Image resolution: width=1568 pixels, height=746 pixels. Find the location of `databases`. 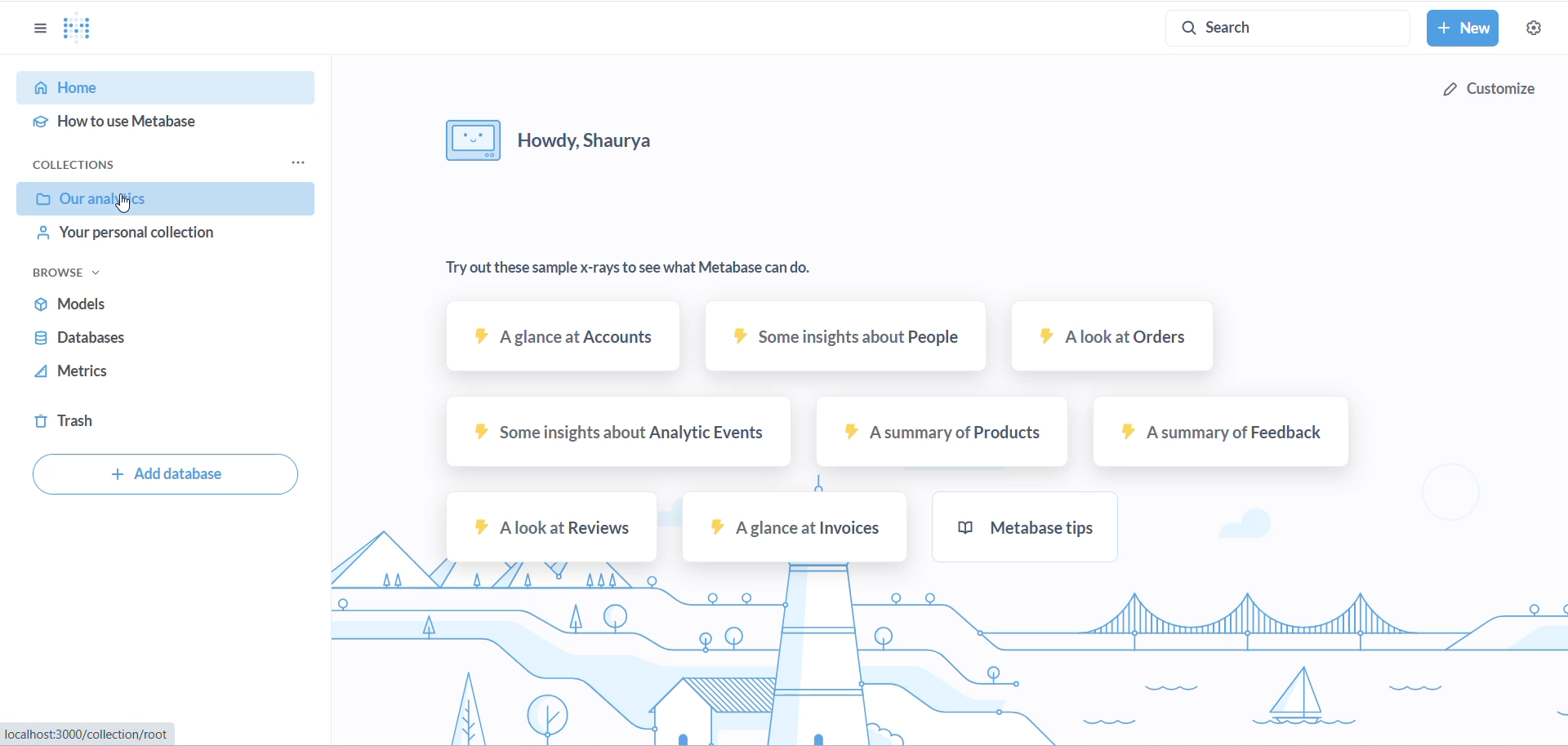

databases is located at coordinates (154, 339).